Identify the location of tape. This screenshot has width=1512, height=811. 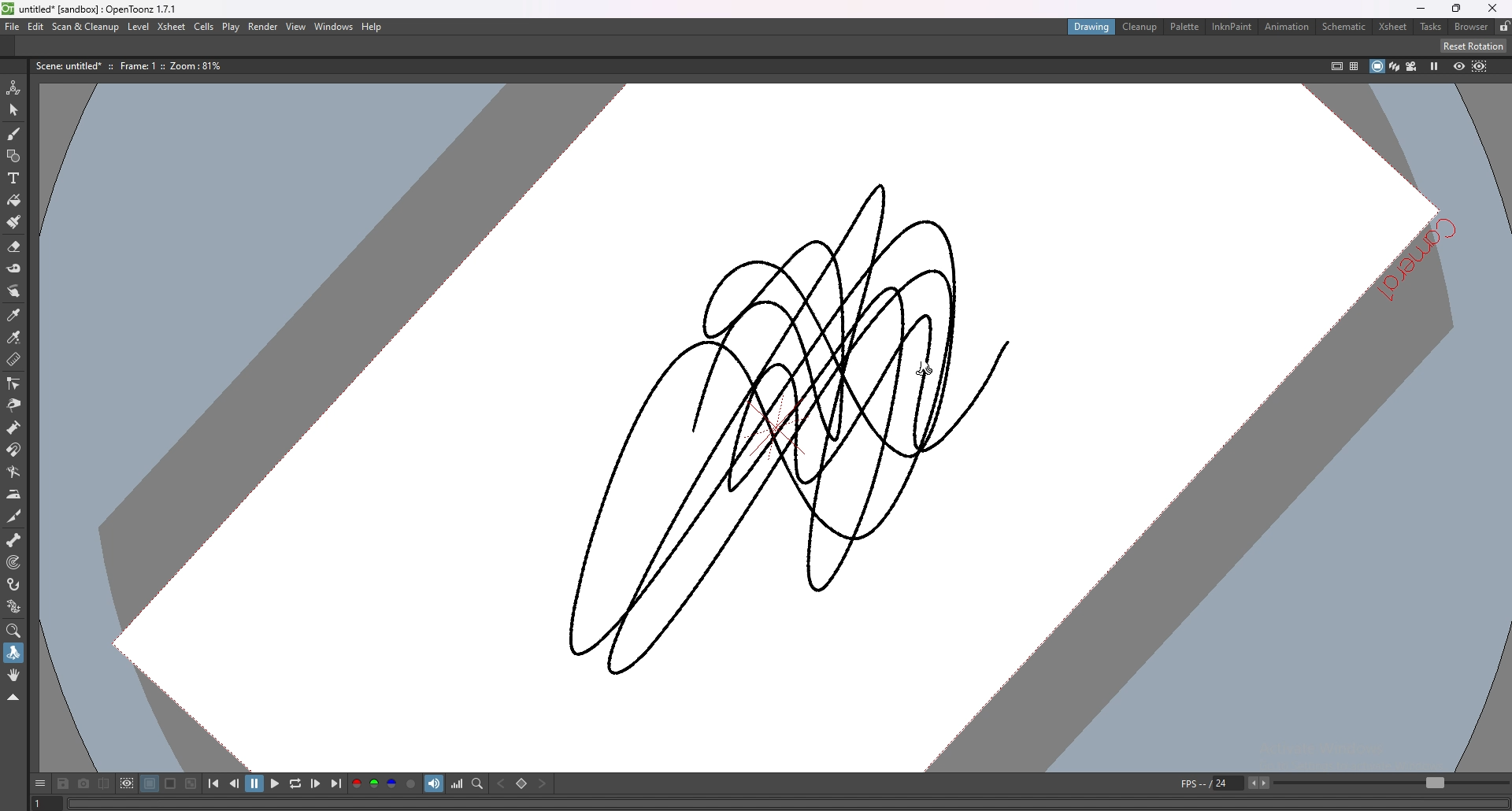
(15, 268).